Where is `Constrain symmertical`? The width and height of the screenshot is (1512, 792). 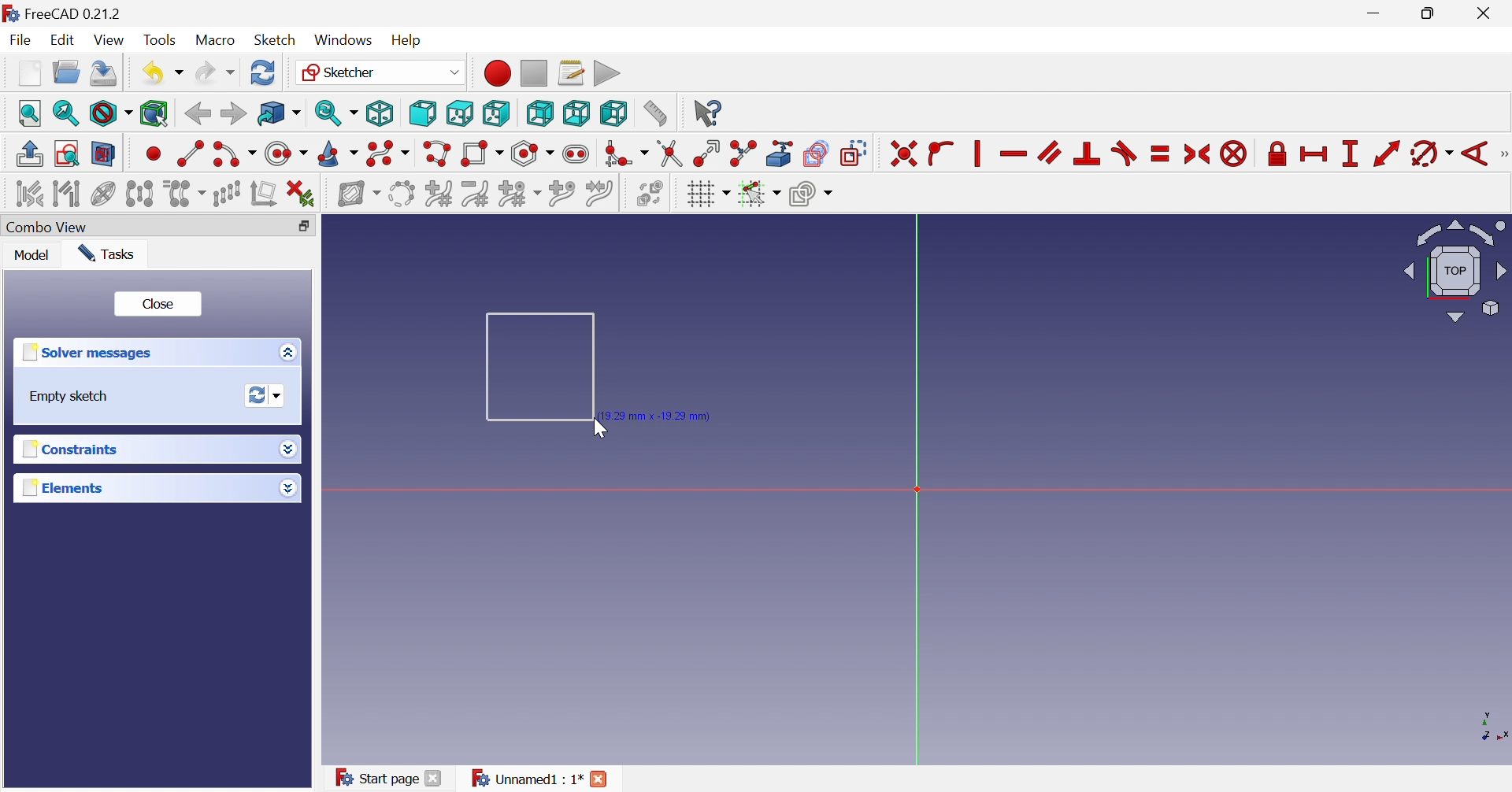 Constrain symmertical is located at coordinates (1198, 154).